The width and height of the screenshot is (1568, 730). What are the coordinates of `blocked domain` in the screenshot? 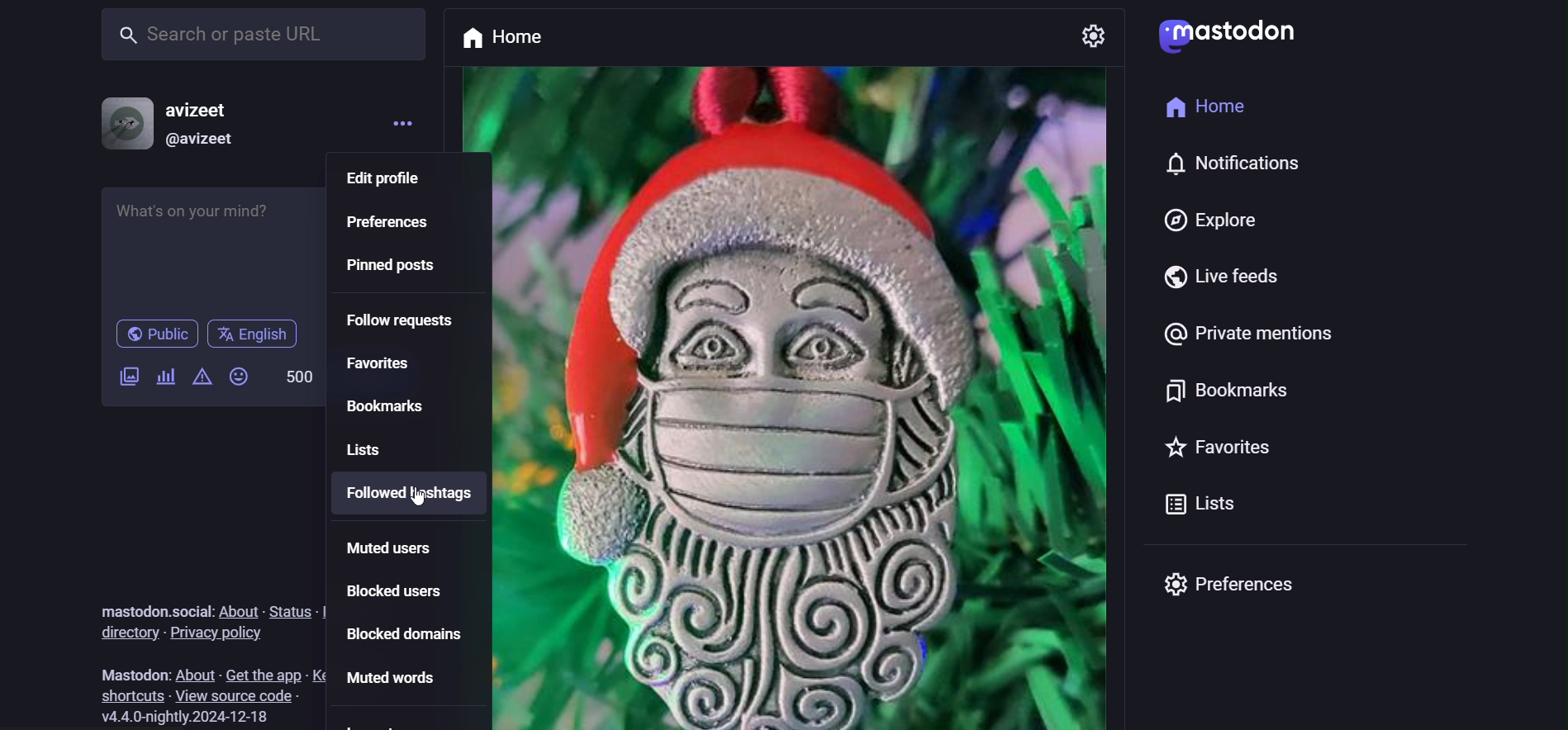 It's located at (410, 633).